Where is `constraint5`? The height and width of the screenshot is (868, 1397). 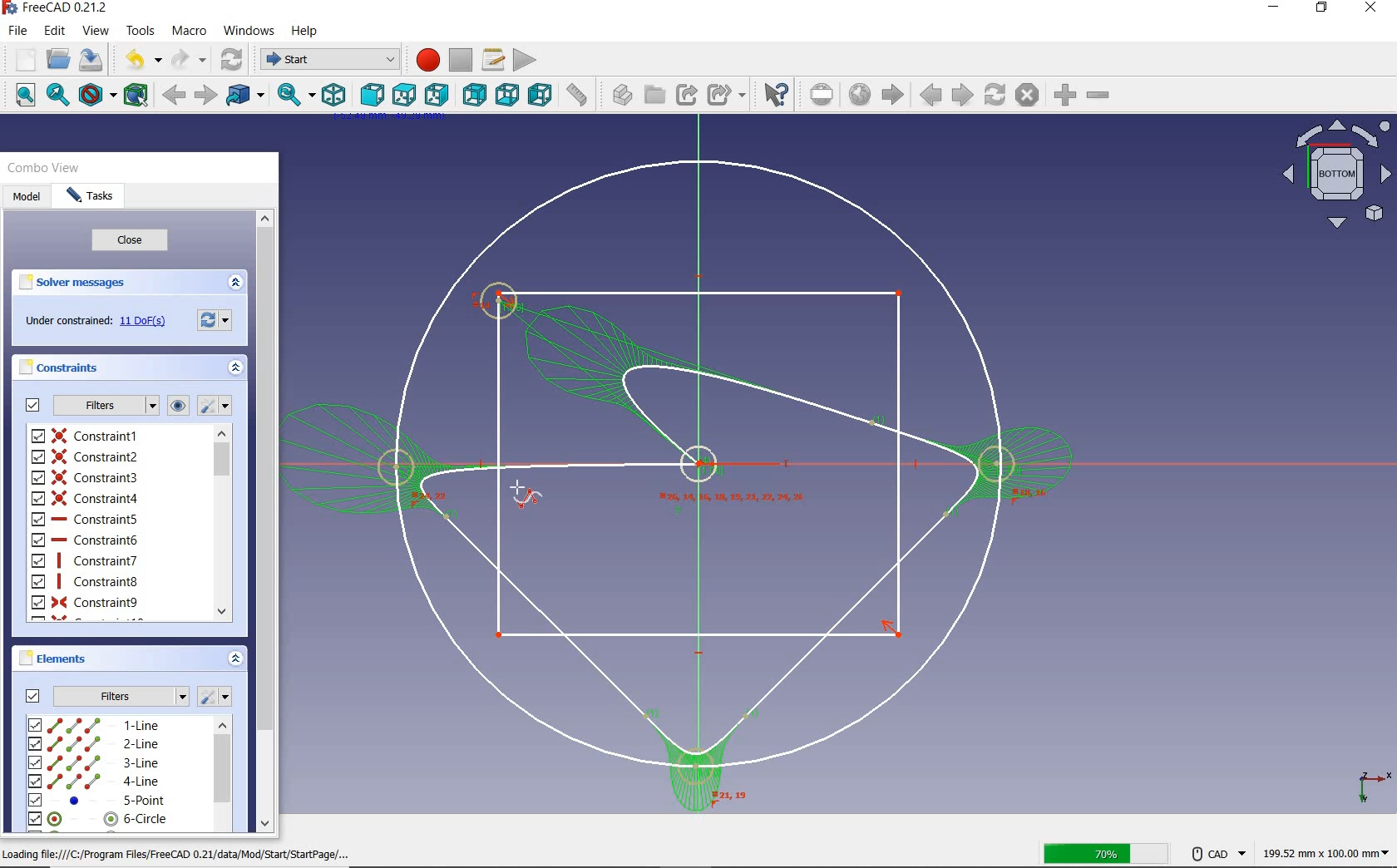 constraint5 is located at coordinates (86, 518).